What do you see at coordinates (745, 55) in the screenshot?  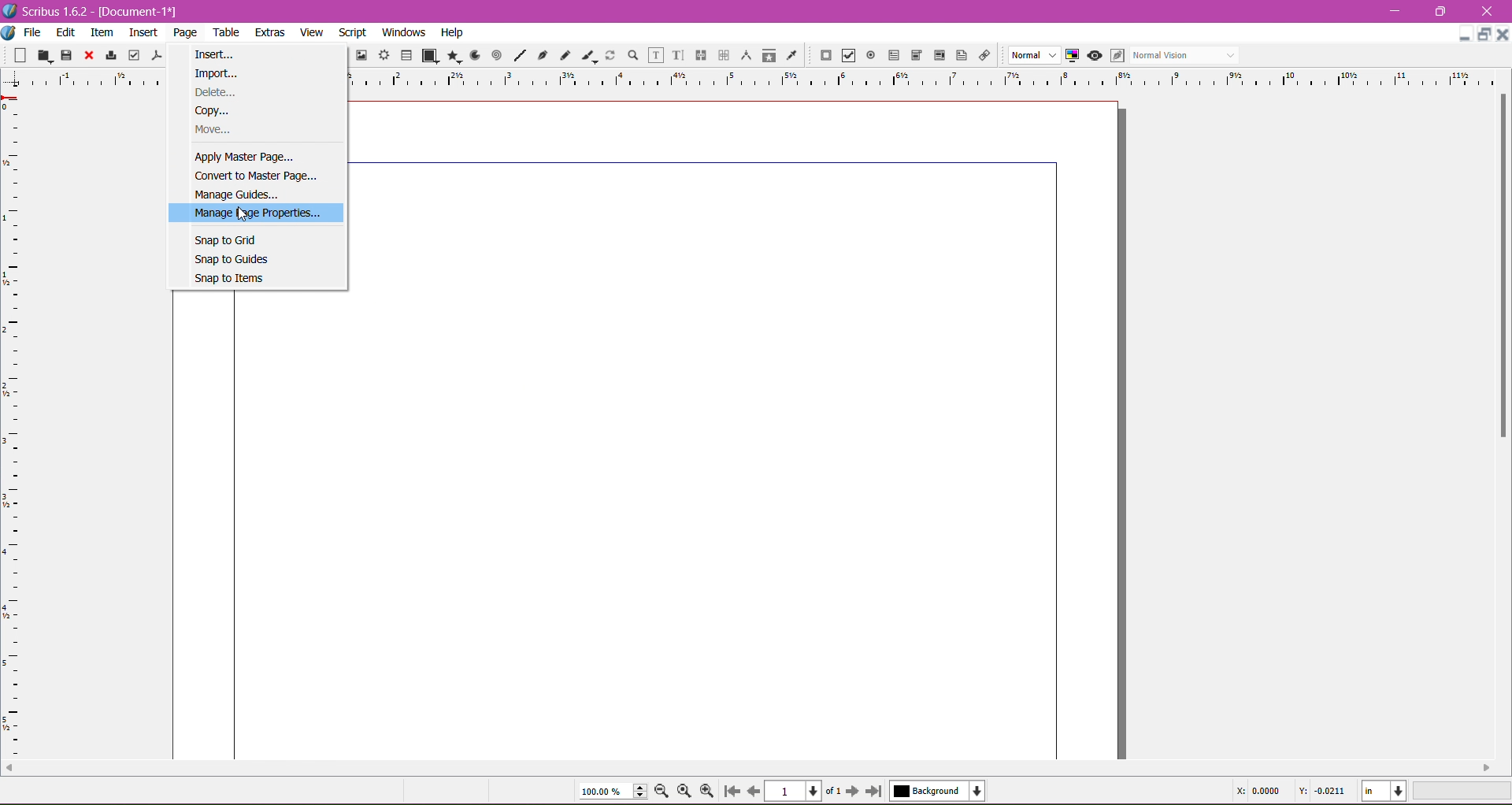 I see `Measurements` at bounding box center [745, 55].